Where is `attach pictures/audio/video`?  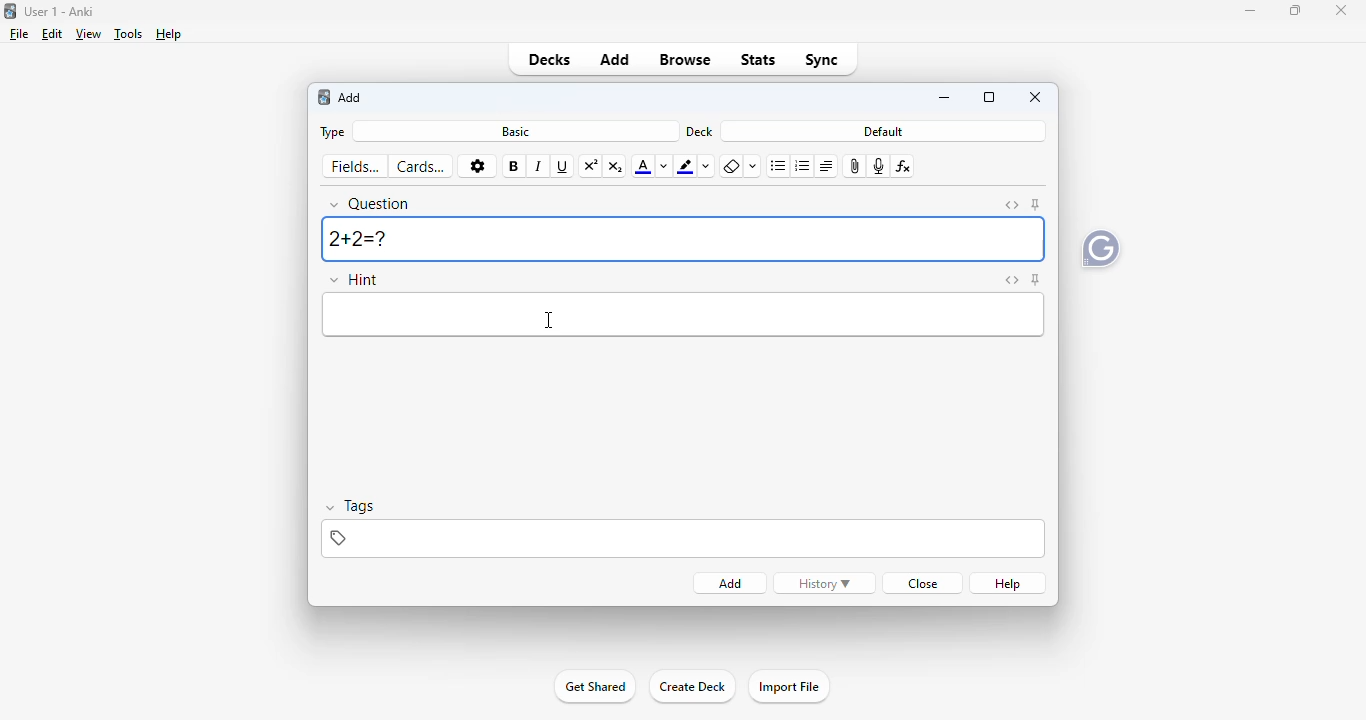 attach pictures/audio/video is located at coordinates (855, 166).